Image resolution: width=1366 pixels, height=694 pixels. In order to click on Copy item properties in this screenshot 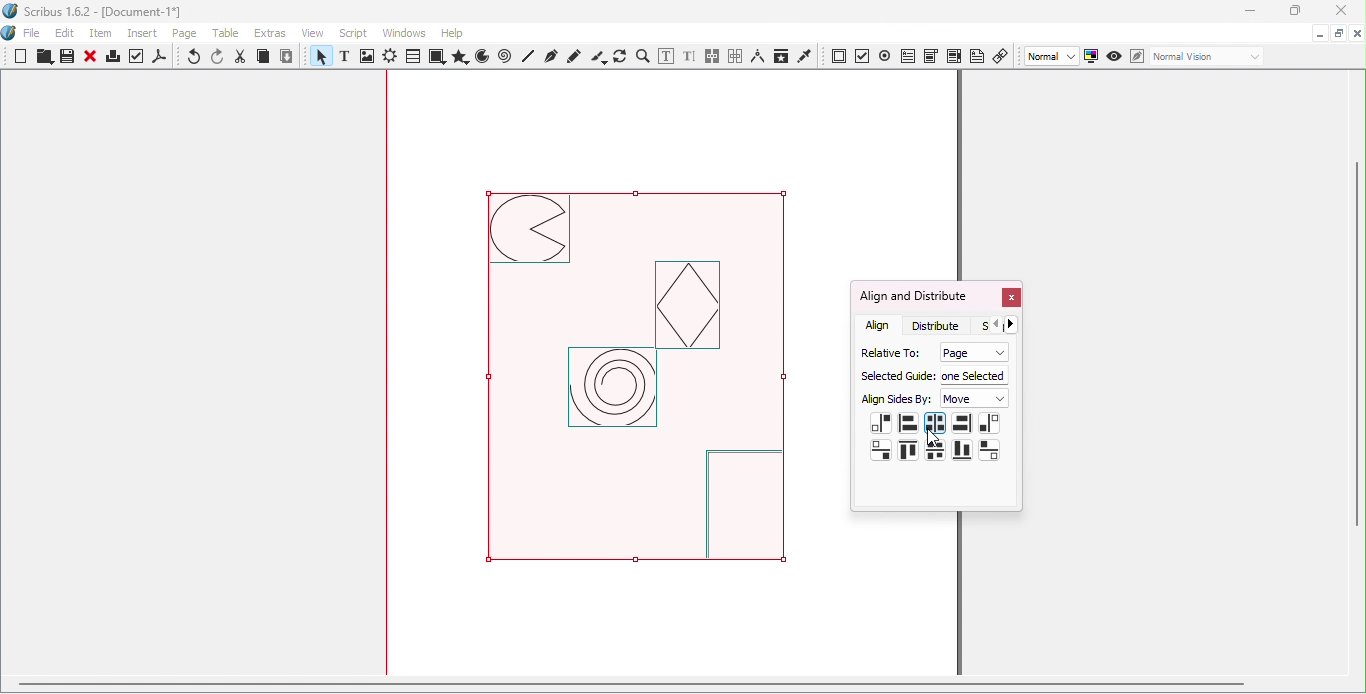, I will do `click(780, 56)`.